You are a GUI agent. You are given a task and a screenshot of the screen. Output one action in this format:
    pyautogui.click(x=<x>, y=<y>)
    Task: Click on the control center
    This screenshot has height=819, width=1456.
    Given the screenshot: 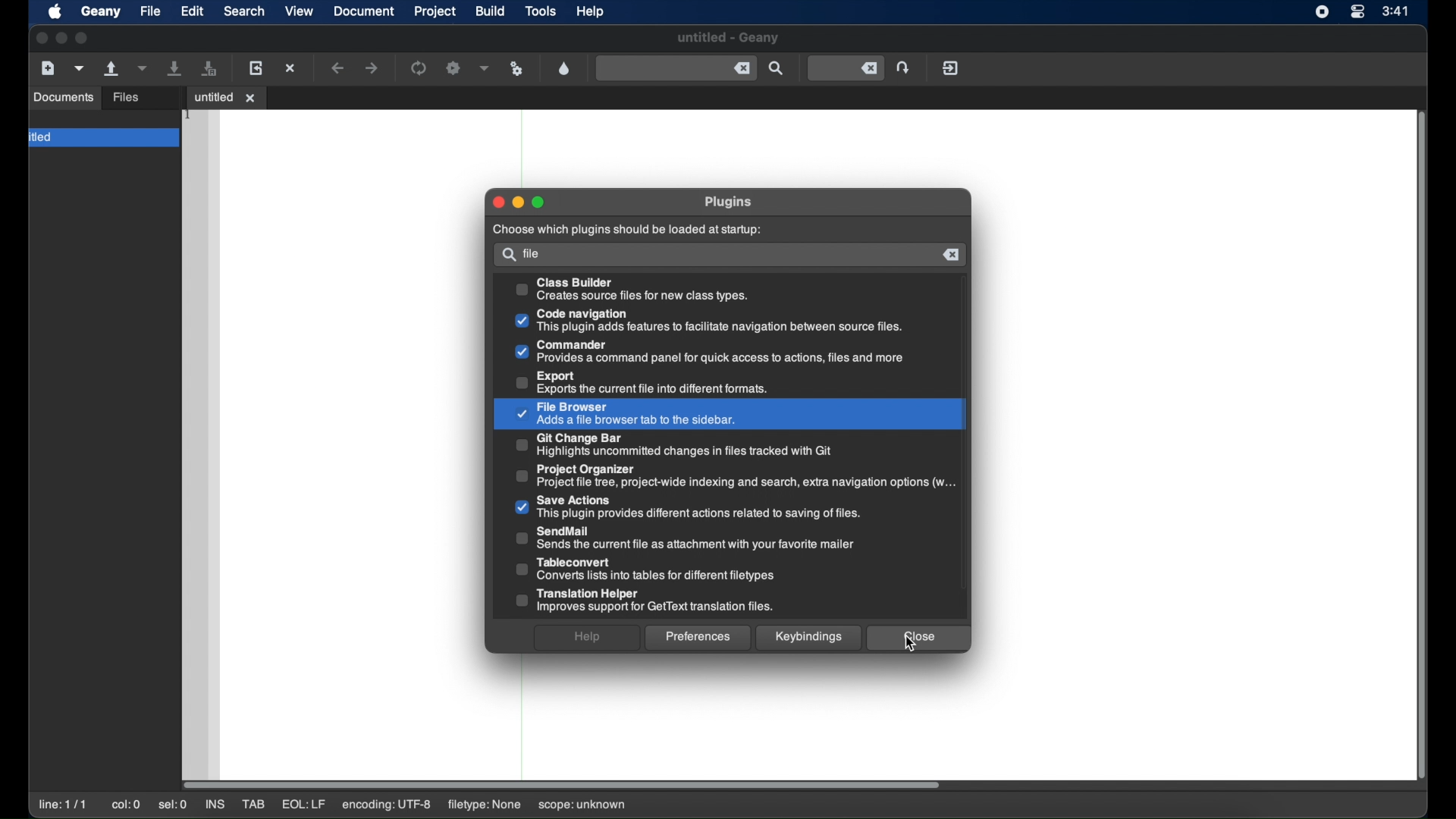 What is the action you would take?
    pyautogui.click(x=1359, y=12)
    